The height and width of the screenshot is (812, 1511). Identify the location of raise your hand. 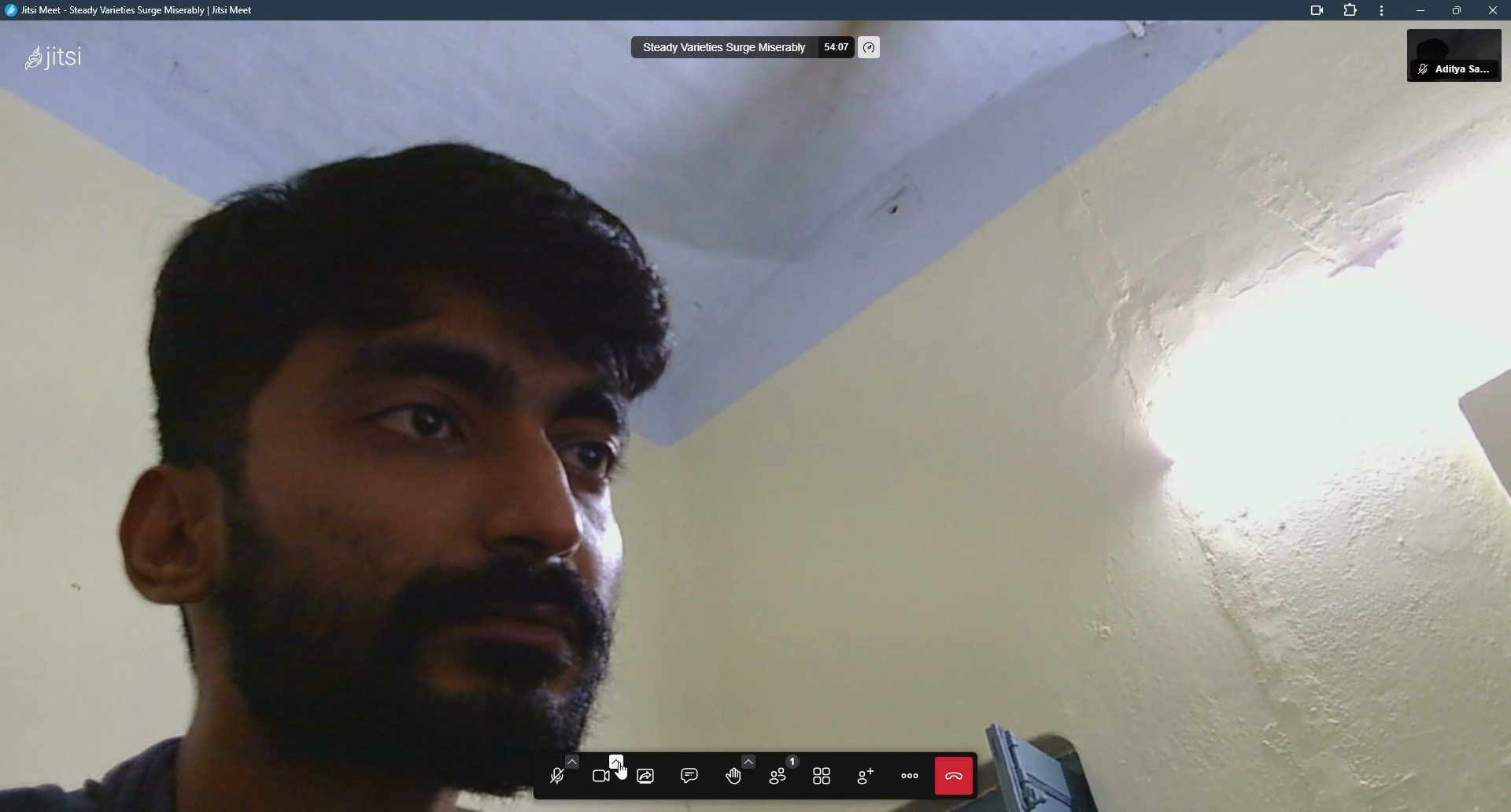
(732, 771).